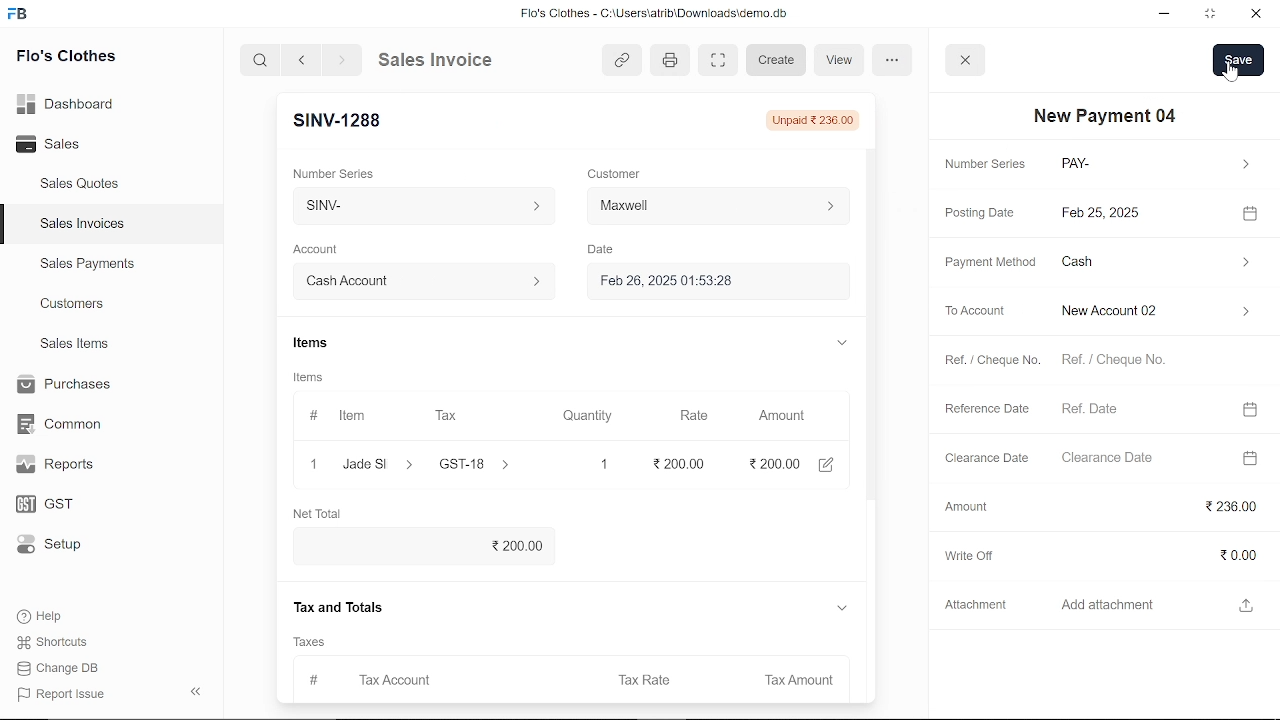 This screenshot has width=1280, height=720. Describe the element at coordinates (994, 362) in the screenshot. I see `Re. / Cheque No.` at that location.